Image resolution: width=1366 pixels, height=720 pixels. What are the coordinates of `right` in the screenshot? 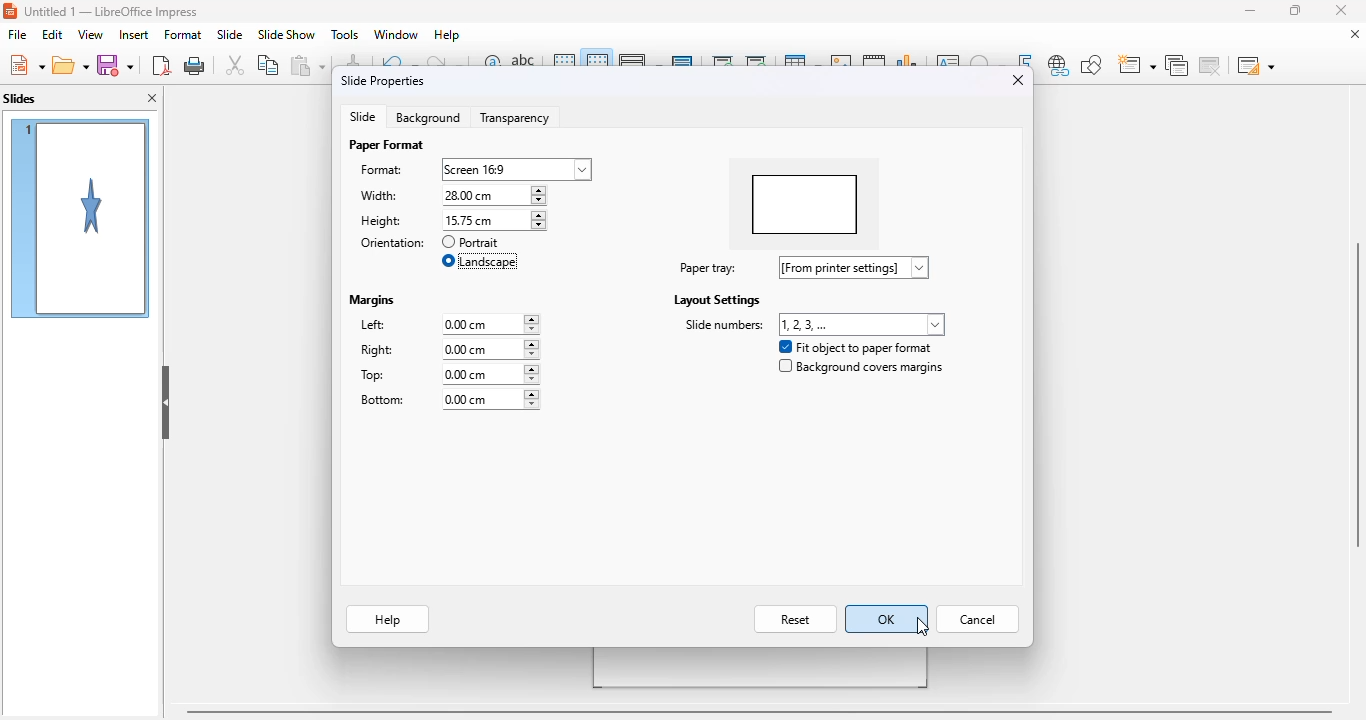 It's located at (385, 348).